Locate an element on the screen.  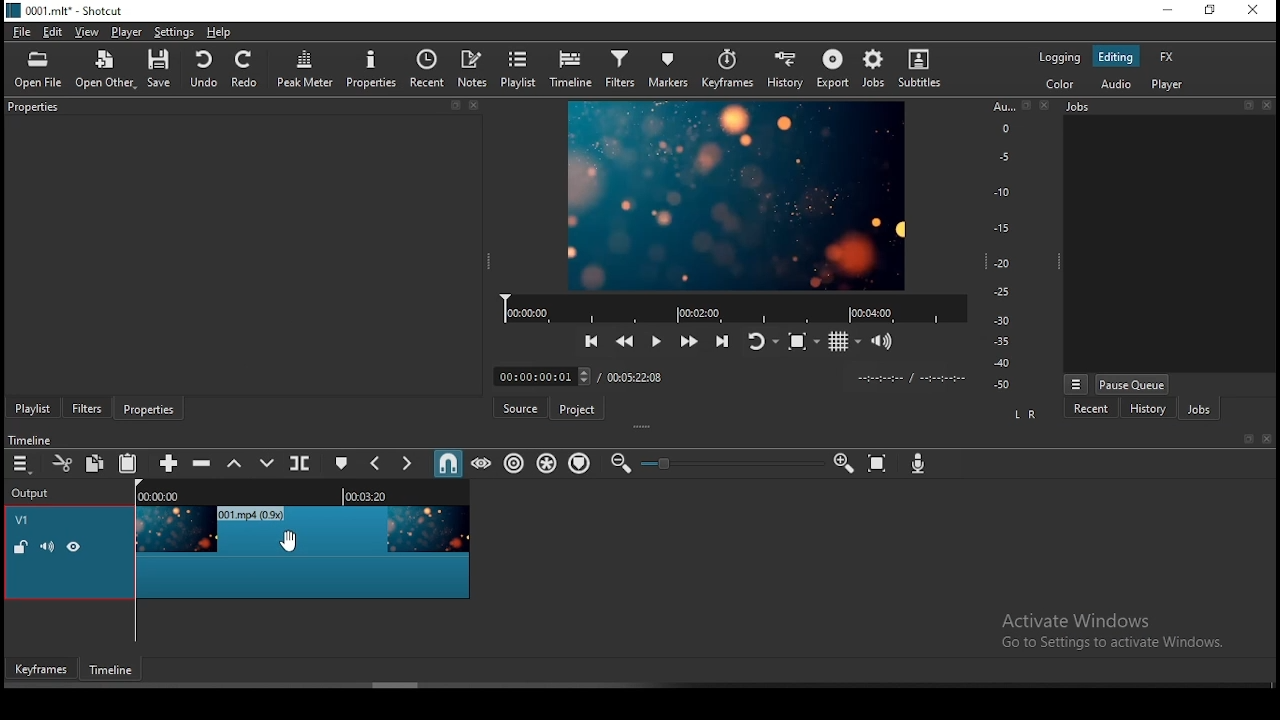
close is located at coordinates (1268, 438).